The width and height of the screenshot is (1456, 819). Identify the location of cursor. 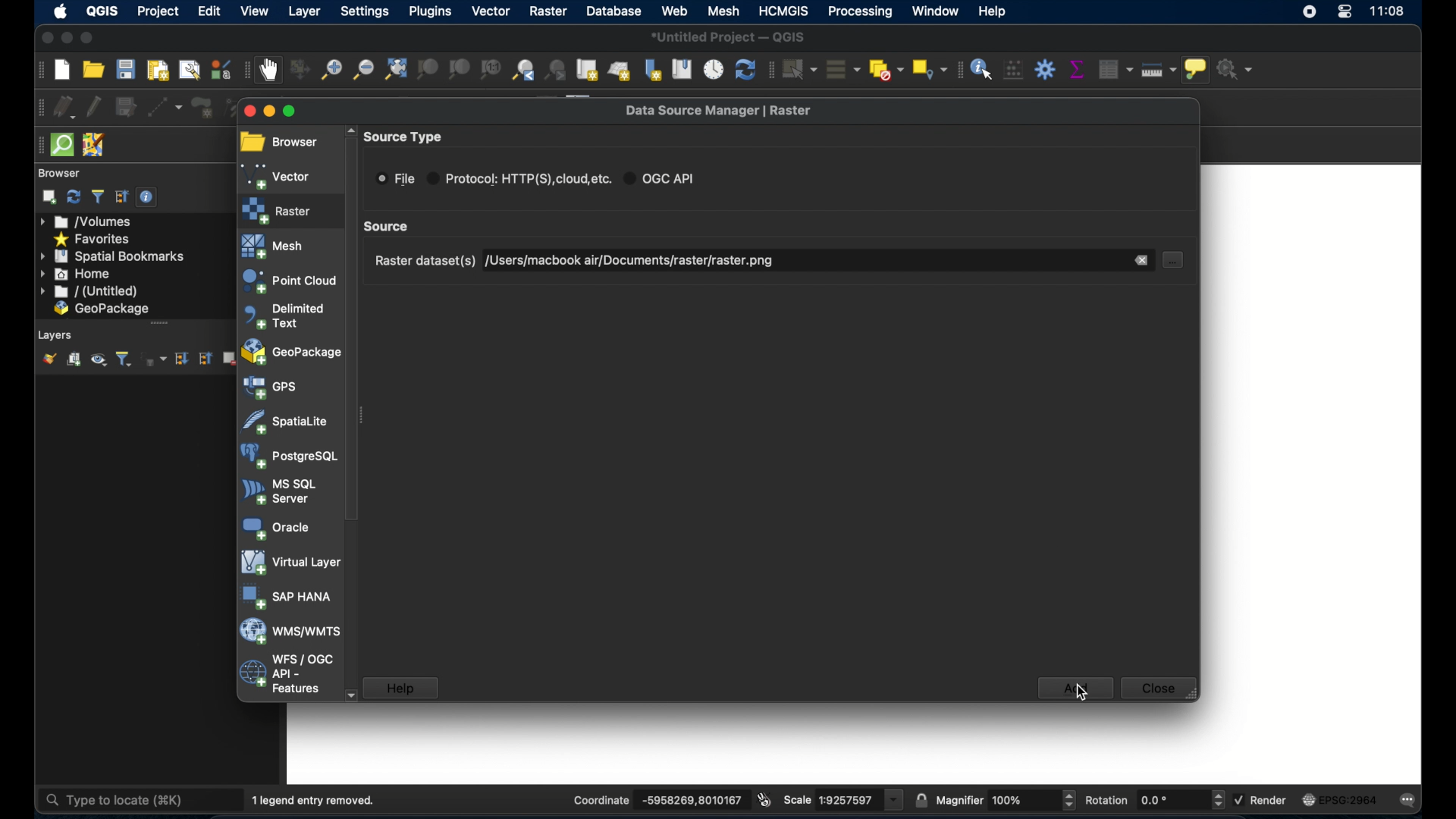
(1085, 694).